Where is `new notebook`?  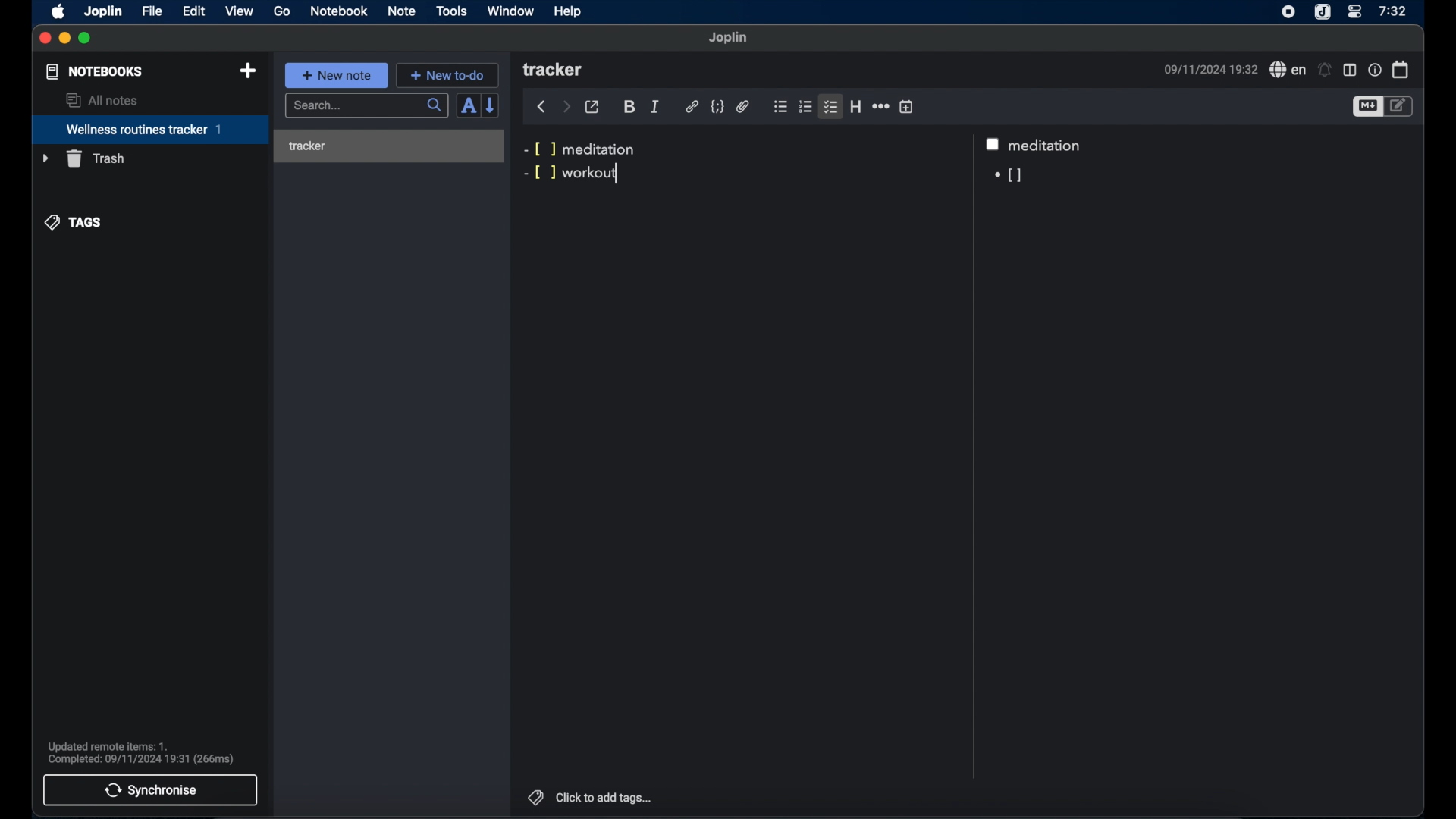
new notebook is located at coordinates (249, 71).